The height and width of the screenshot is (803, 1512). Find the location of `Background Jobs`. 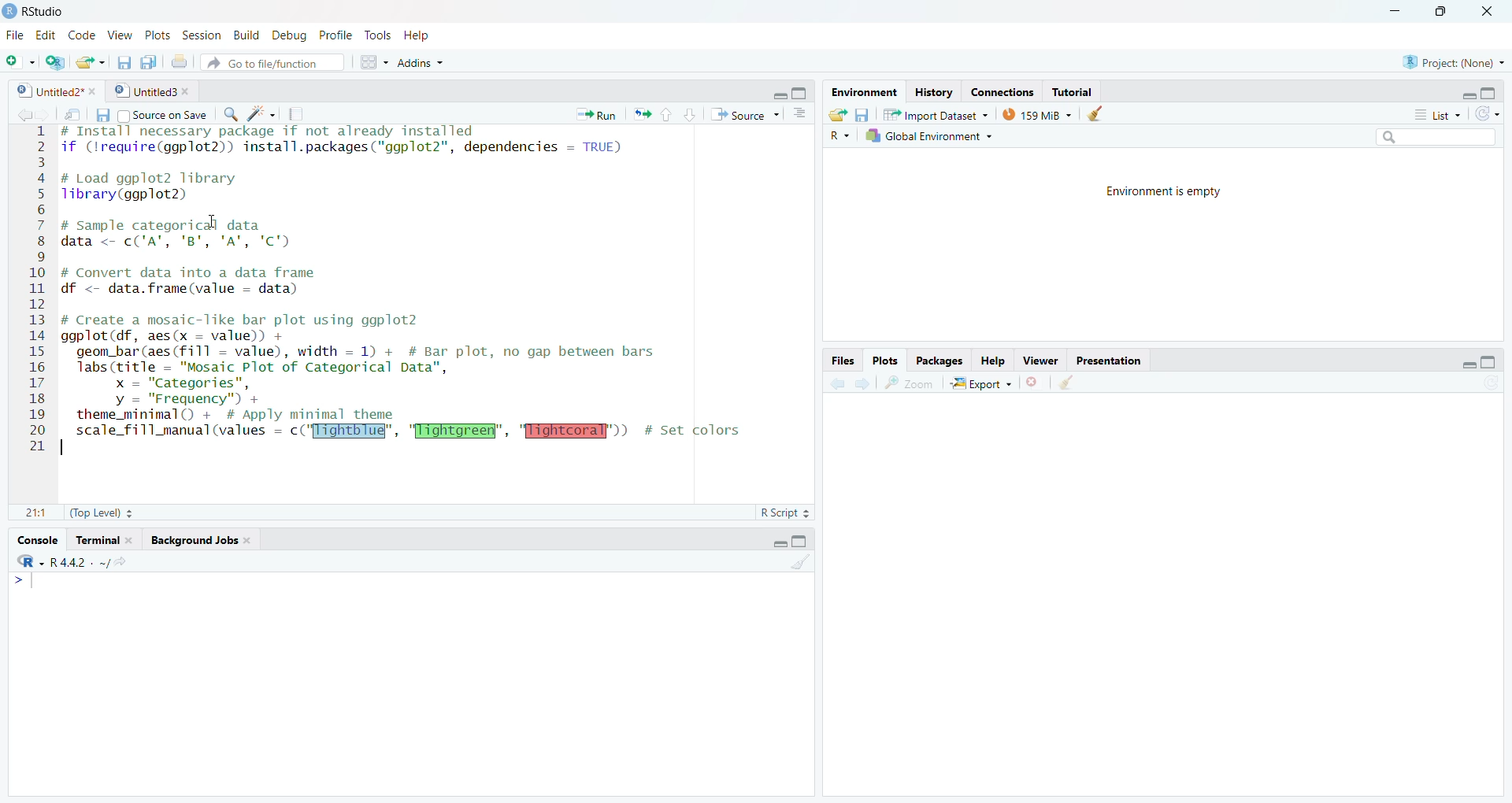

Background Jobs is located at coordinates (200, 541).